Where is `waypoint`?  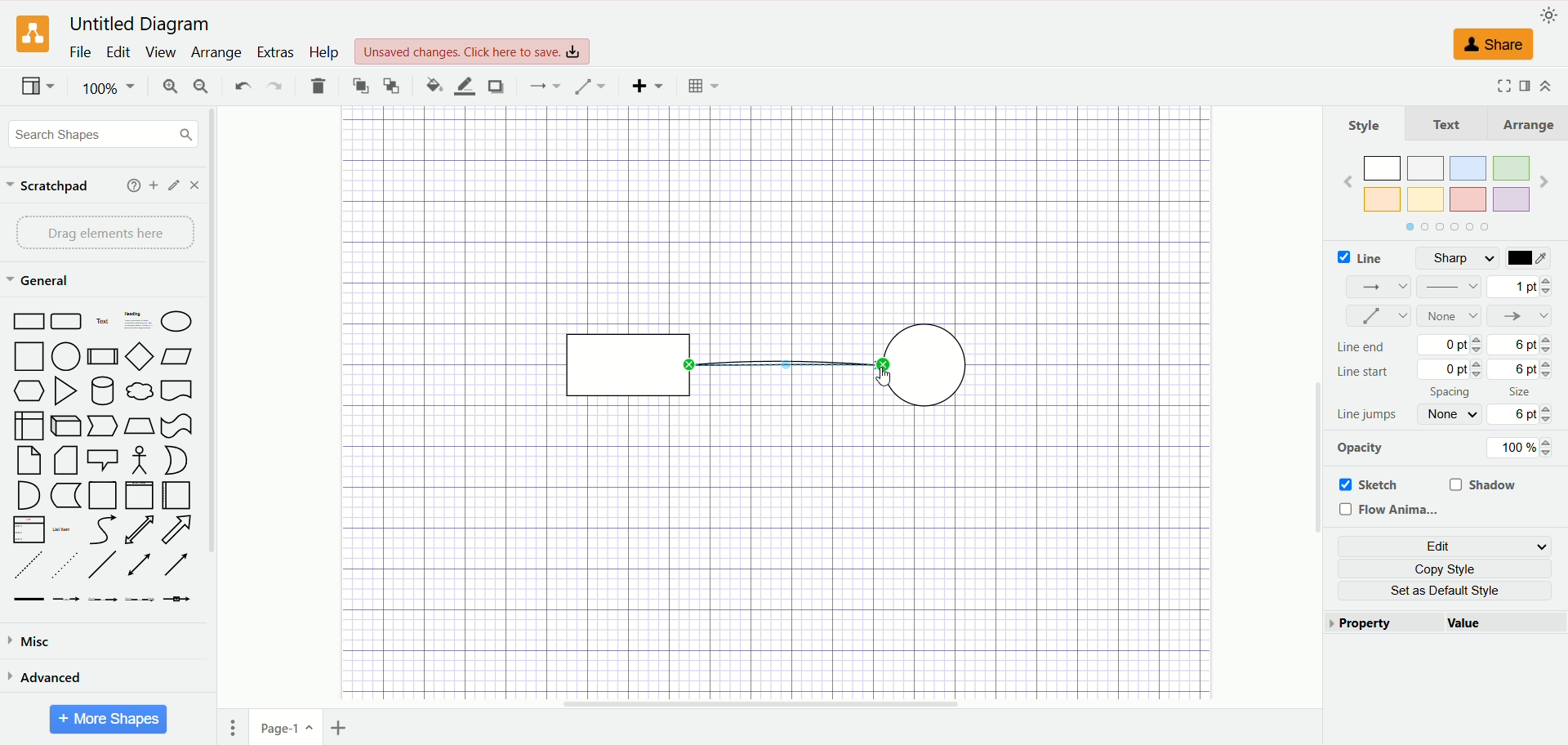 waypoint is located at coordinates (1381, 315).